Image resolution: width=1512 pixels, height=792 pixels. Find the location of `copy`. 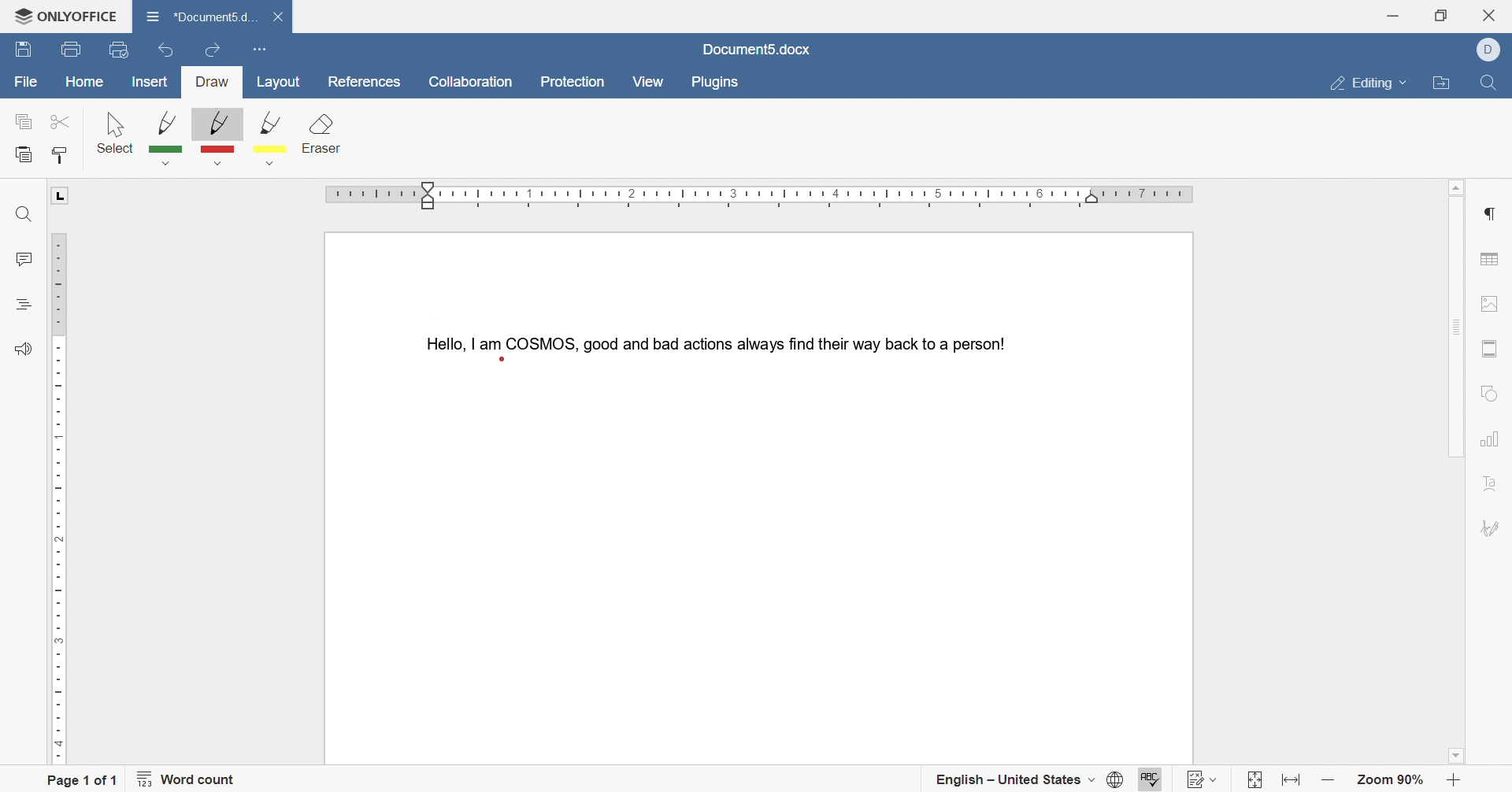

copy is located at coordinates (24, 123).